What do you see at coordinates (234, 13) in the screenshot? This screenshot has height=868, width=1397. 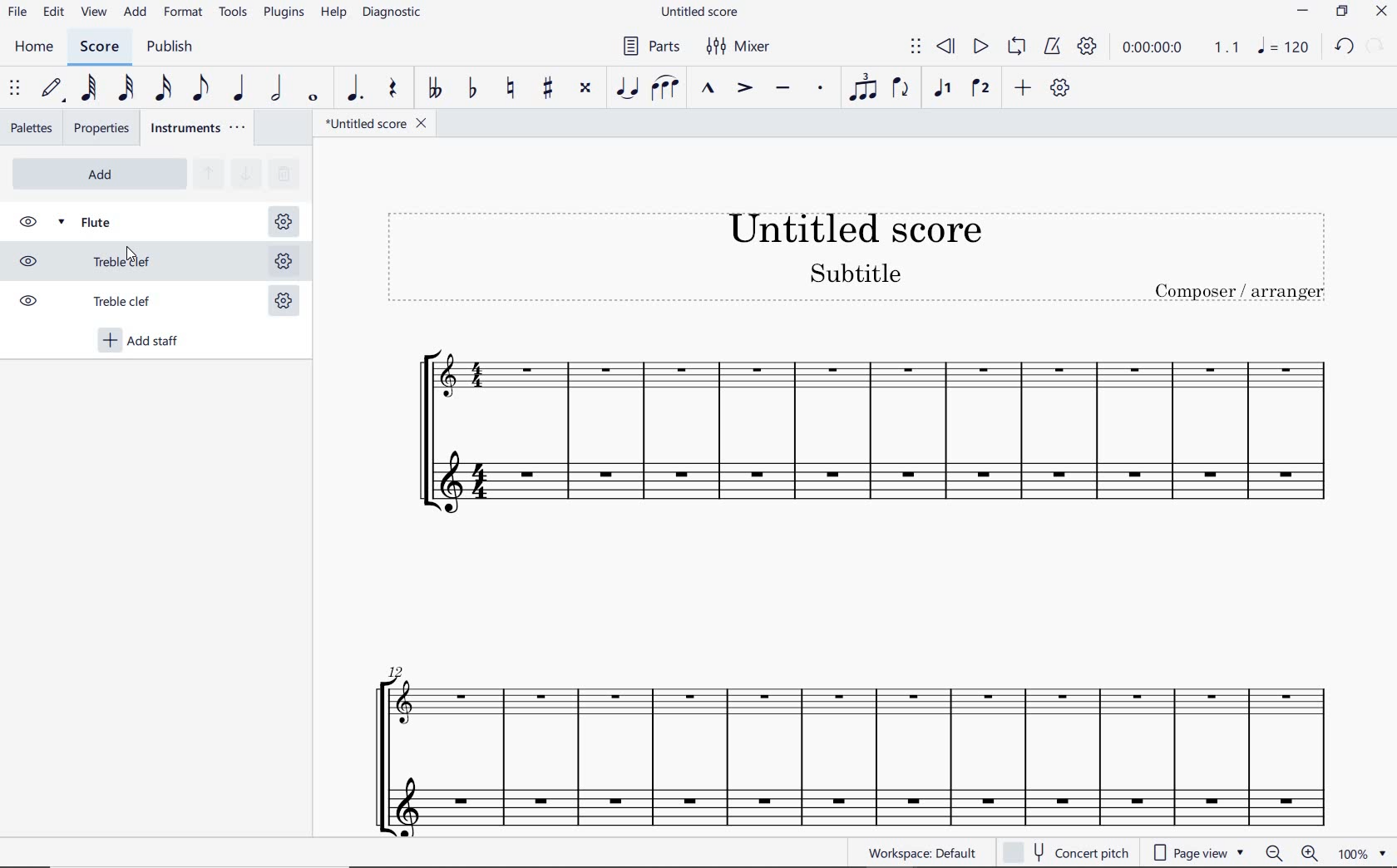 I see `TOOLS` at bounding box center [234, 13].